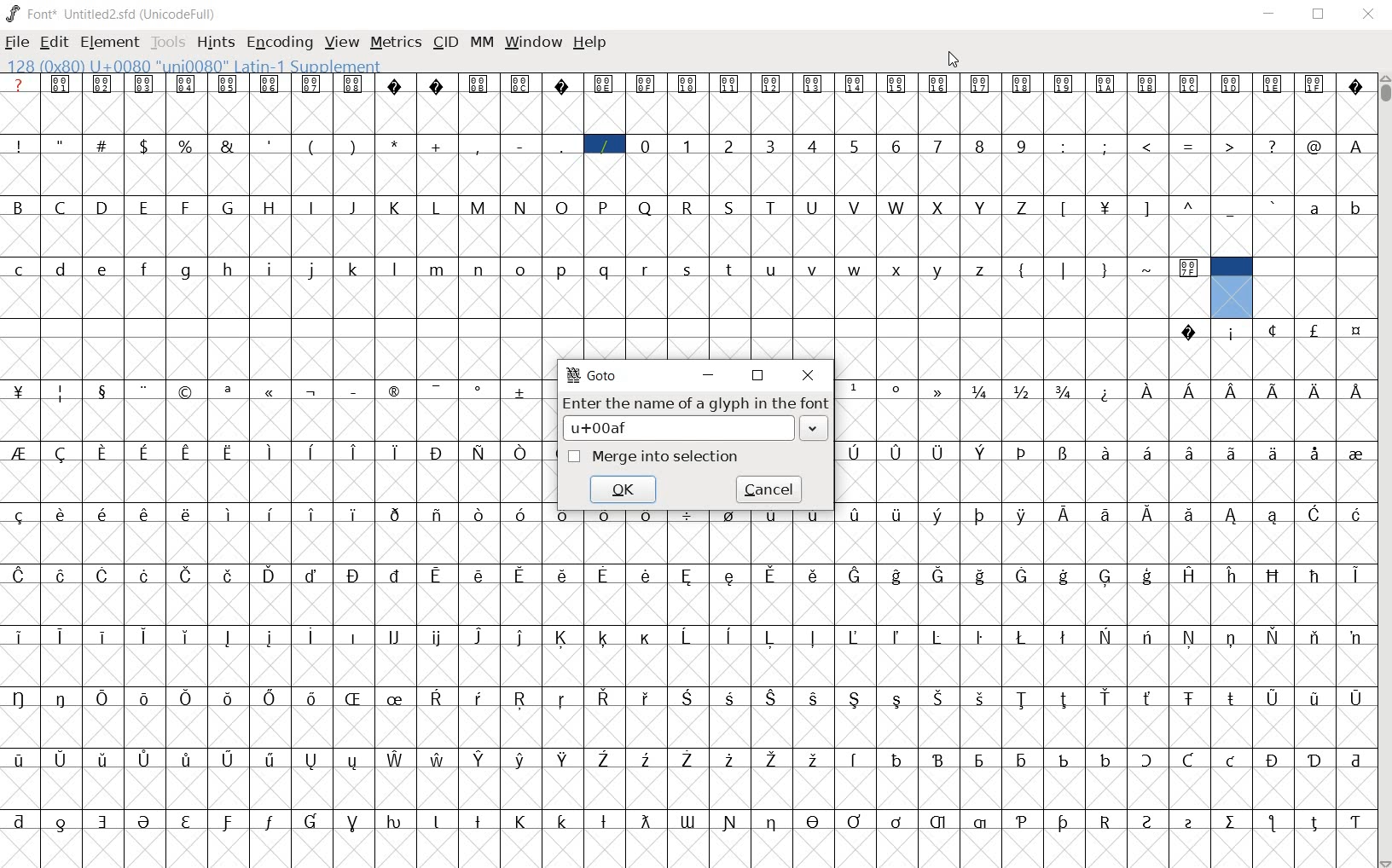  What do you see at coordinates (1192, 333) in the screenshot?
I see `Symbol` at bounding box center [1192, 333].